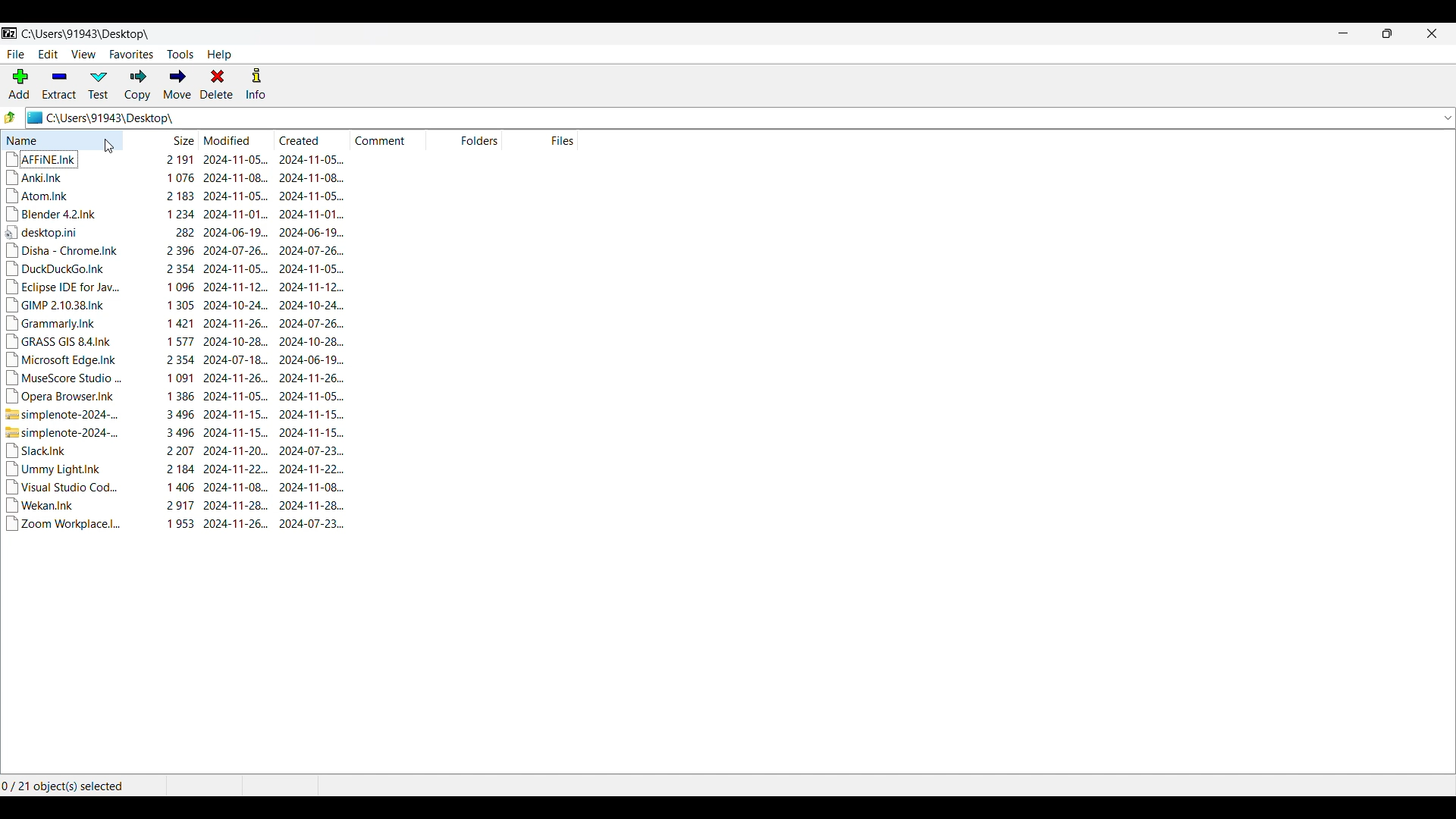 The image size is (1456, 819). Describe the element at coordinates (256, 84) in the screenshot. I see `Info` at that location.